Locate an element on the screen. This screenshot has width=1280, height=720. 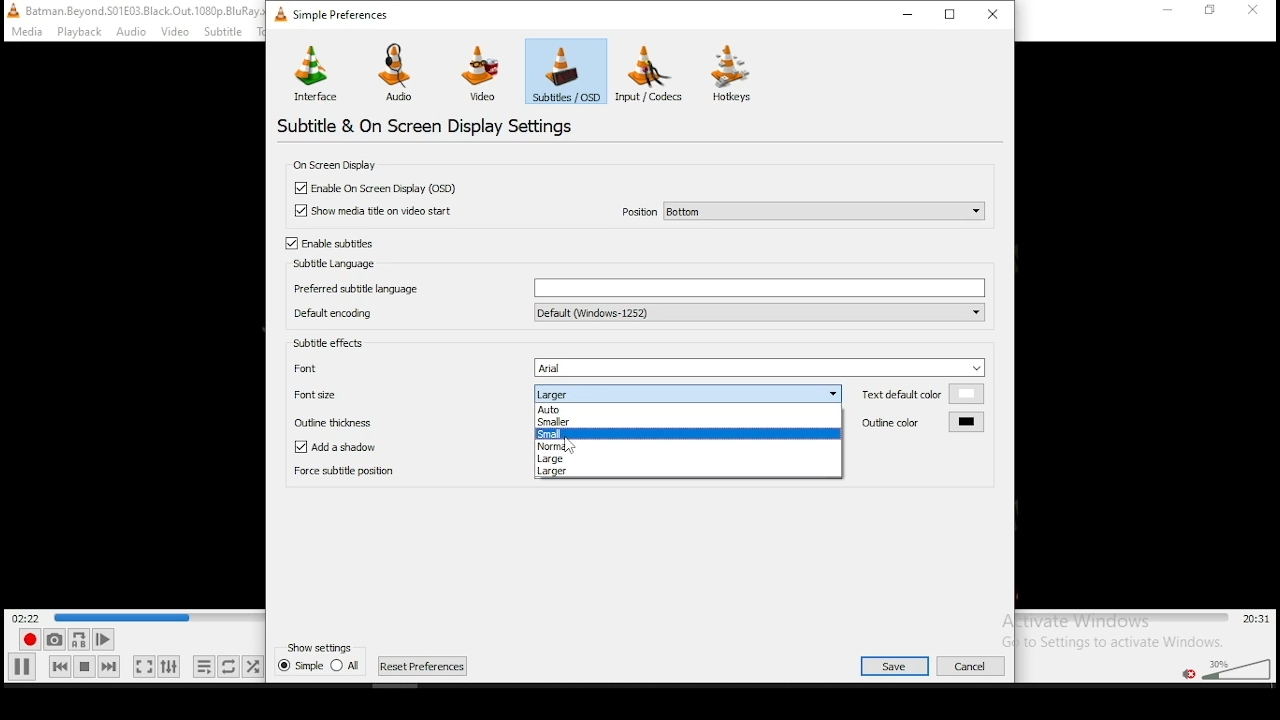
maximize is located at coordinates (952, 13).